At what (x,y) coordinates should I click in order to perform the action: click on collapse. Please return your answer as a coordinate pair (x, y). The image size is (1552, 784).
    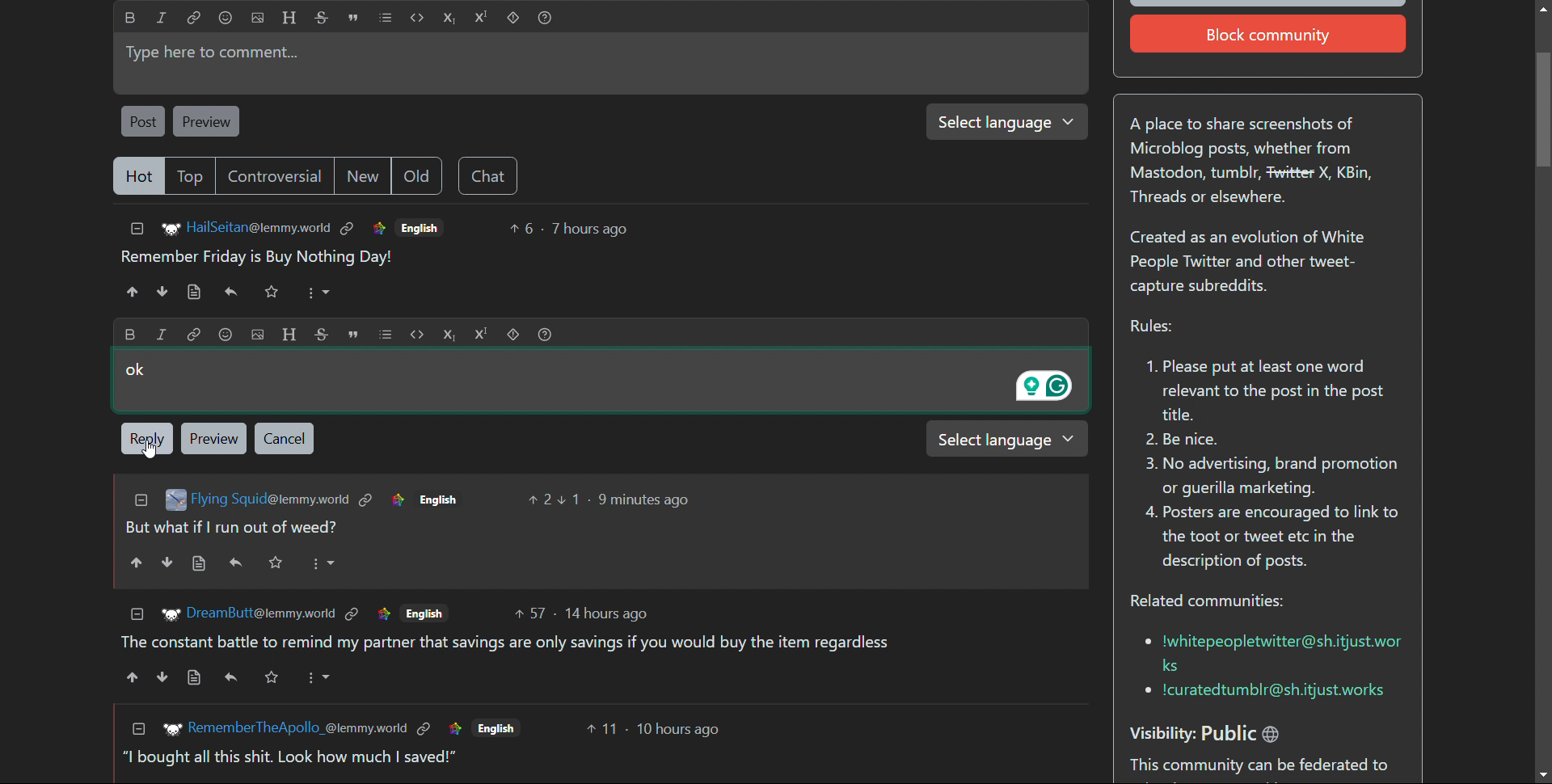
    Looking at the image, I should click on (137, 229).